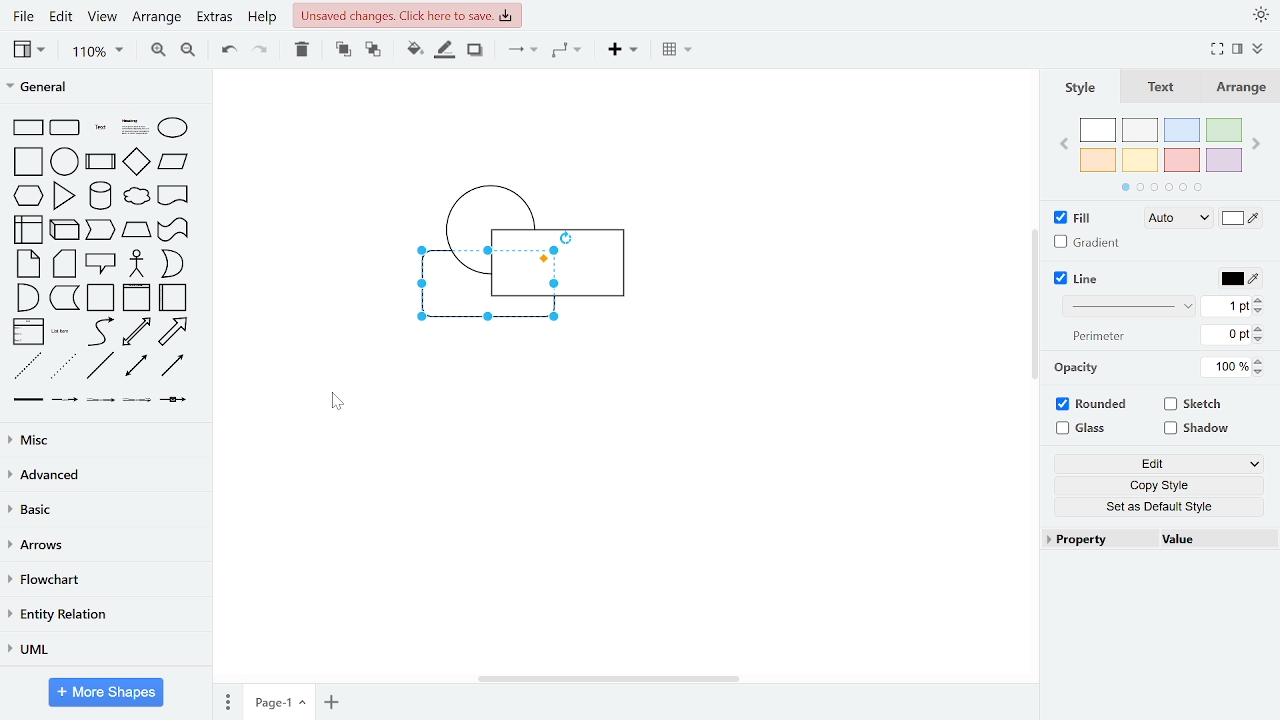 The image size is (1280, 720). Describe the element at coordinates (60, 332) in the screenshot. I see `list item` at that location.